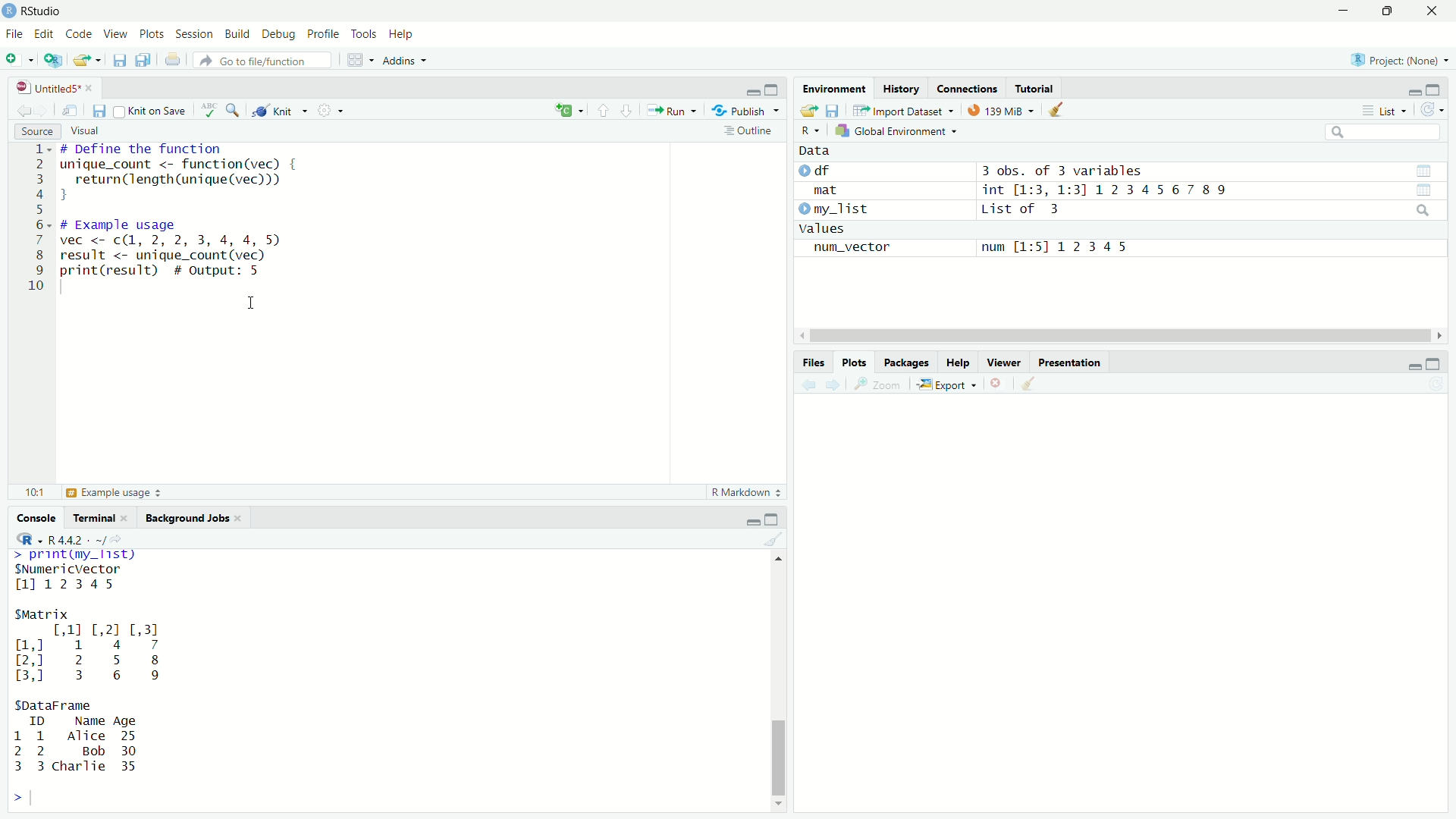  Describe the element at coordinates (774, 90) in the screenshot. I see `maximize` at that location.